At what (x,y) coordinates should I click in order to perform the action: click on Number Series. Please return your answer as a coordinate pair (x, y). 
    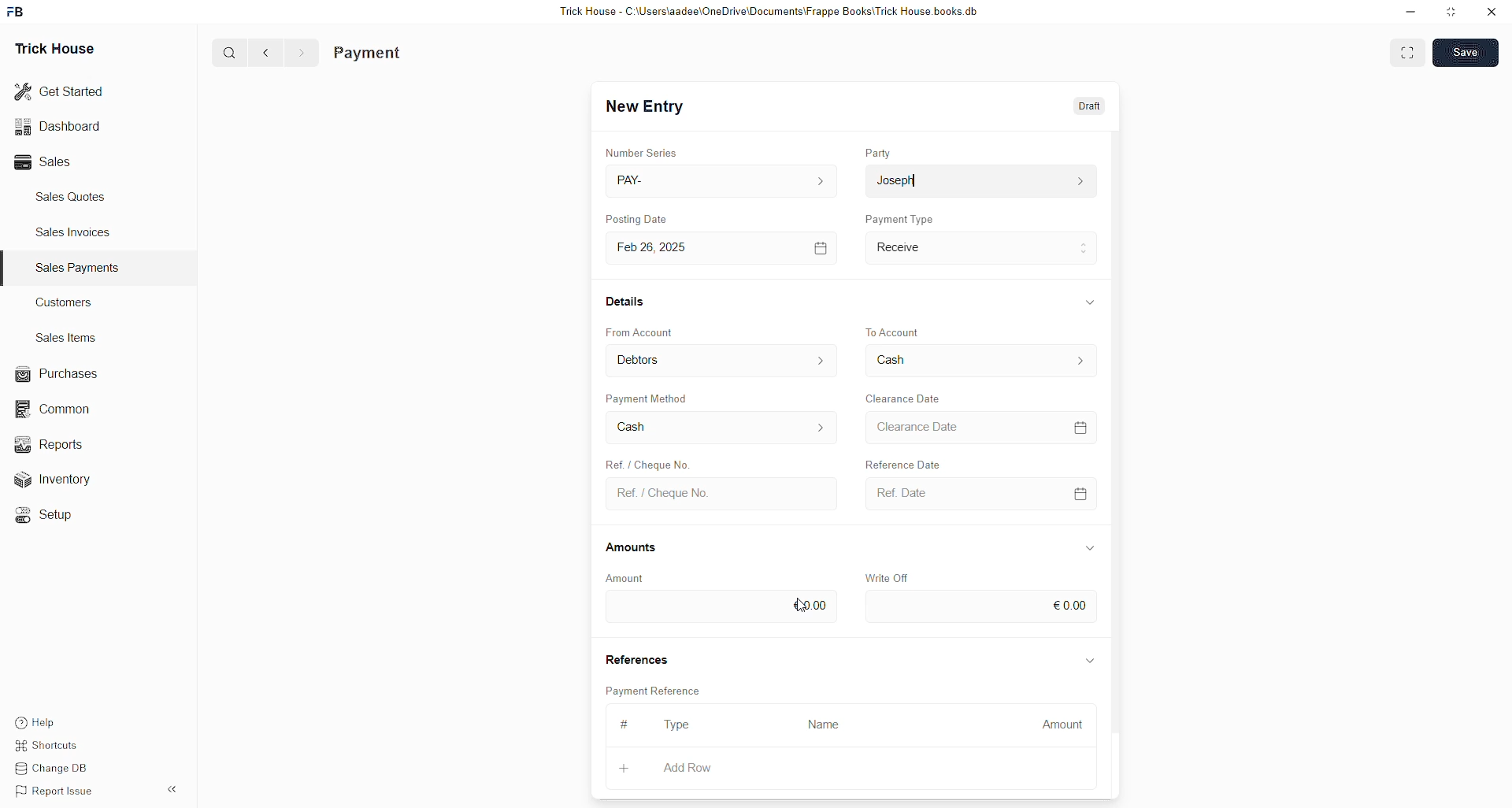
    Looking at the image, I should click on (642, 152).